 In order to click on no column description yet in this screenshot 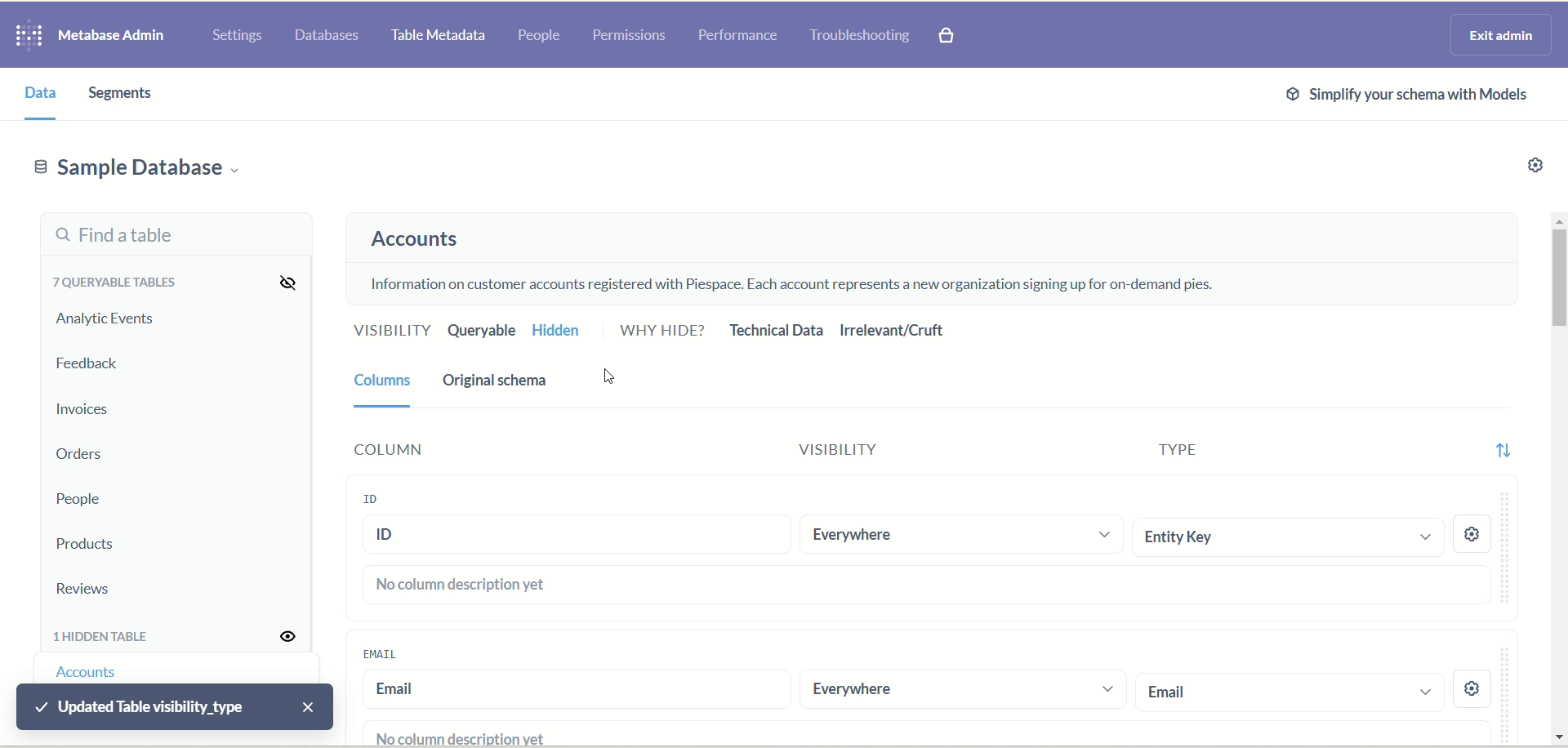, I will do `click(448, 736)`.